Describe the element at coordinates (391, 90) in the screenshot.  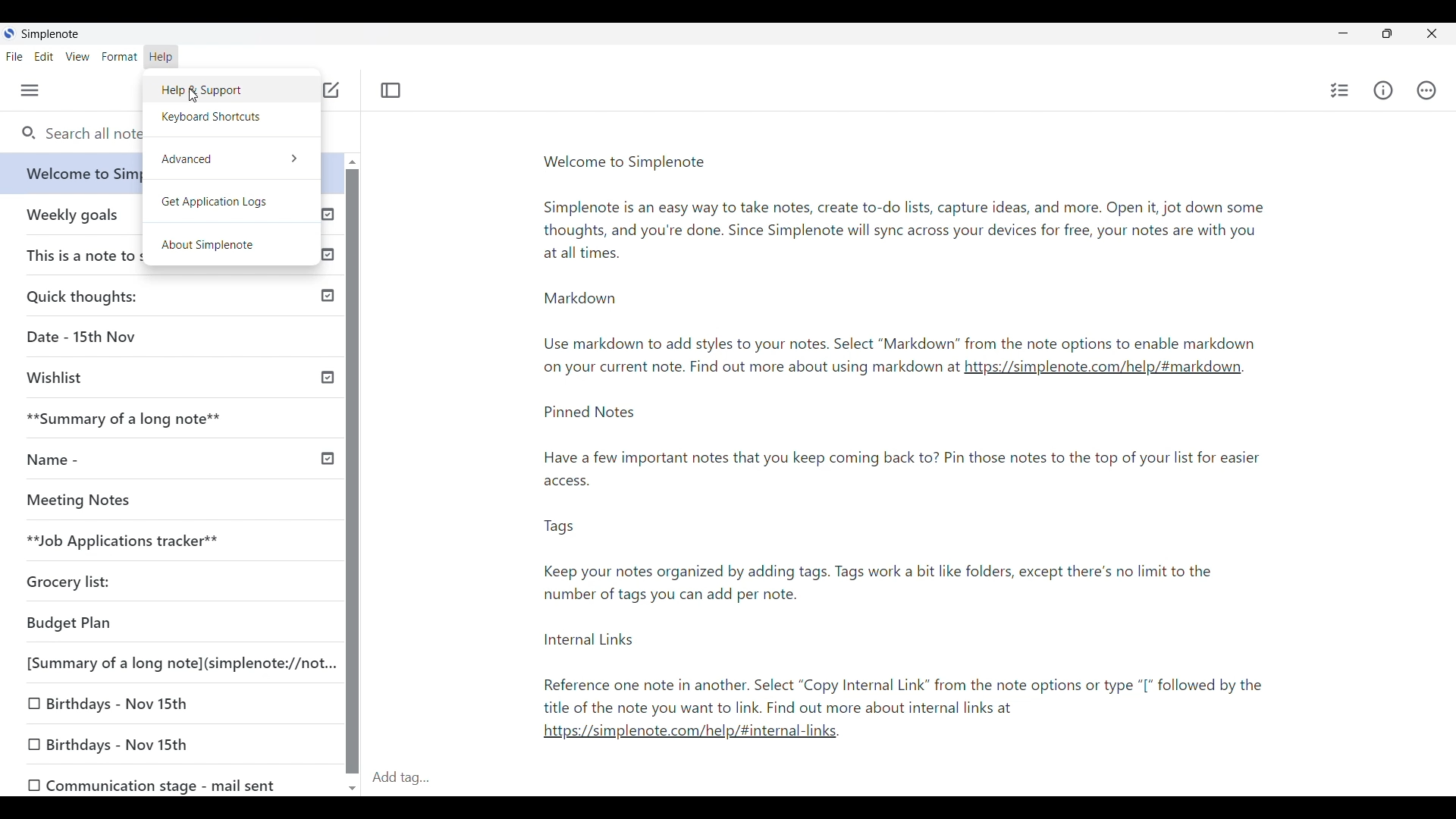
I see `Toggle focus mode` at that location.